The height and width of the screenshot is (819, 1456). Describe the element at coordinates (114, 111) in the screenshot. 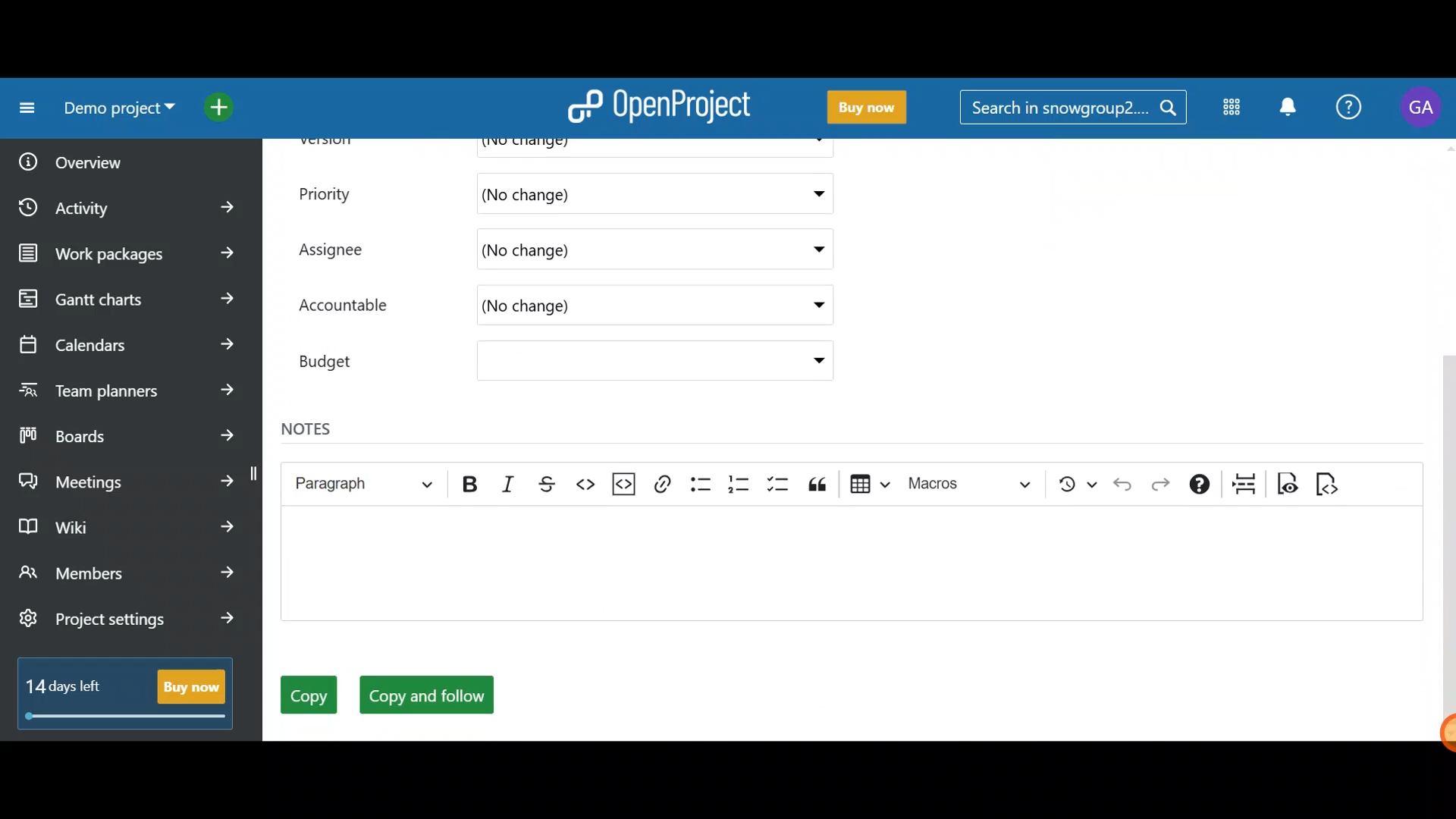

I see `Demo project` at that location.